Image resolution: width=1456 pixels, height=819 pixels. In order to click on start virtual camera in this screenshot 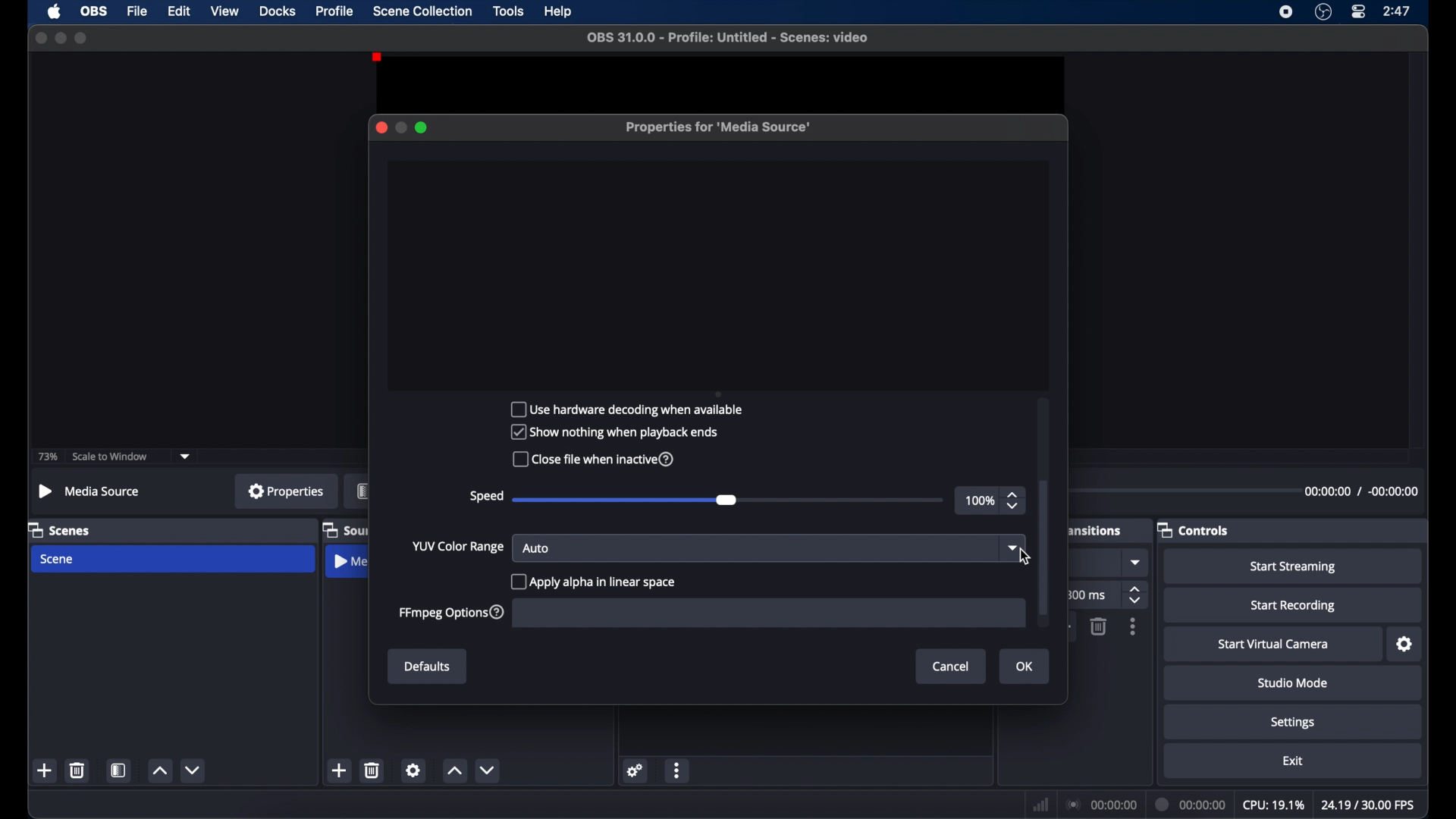, I will do `click(1274, 645)`.